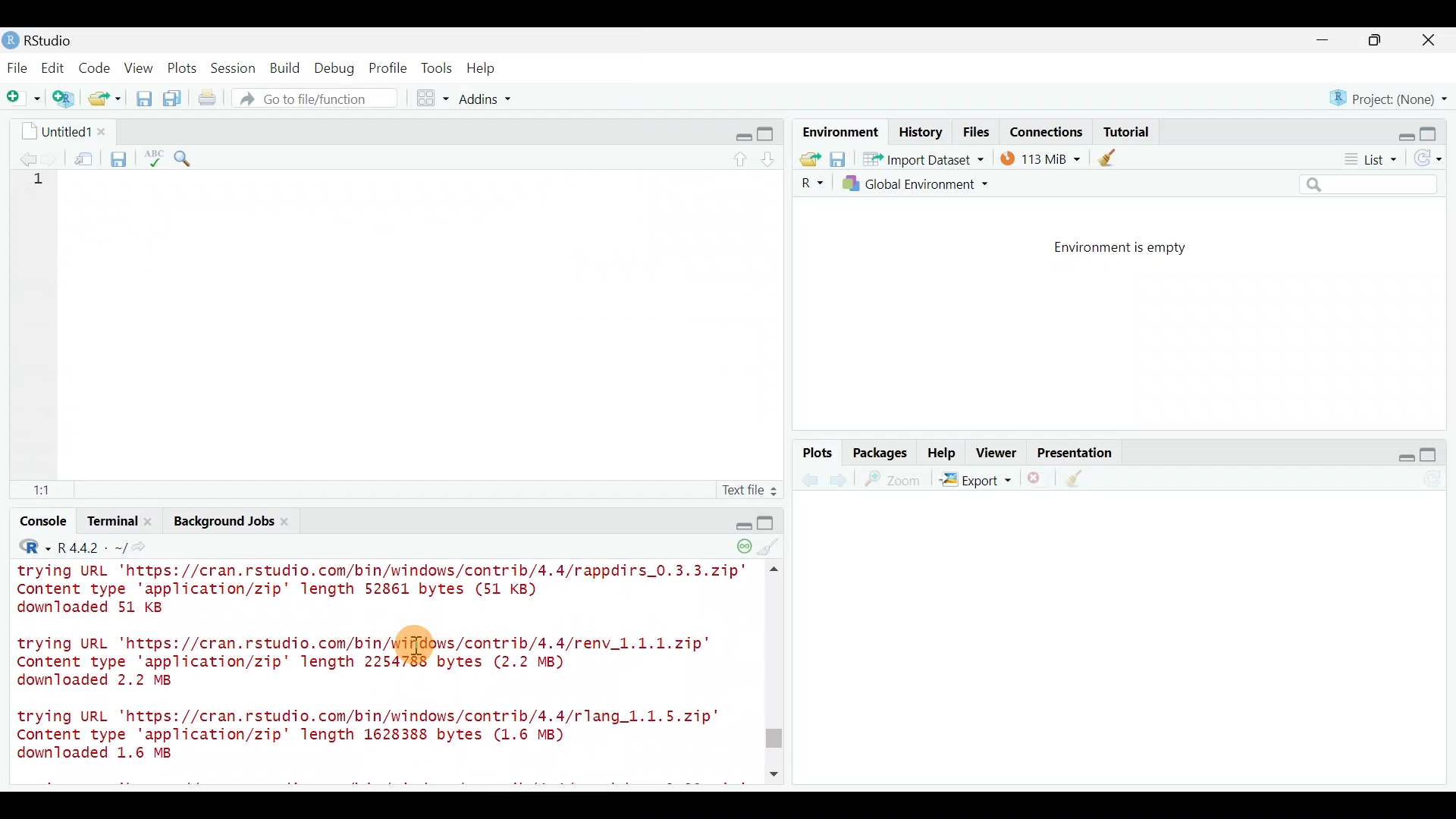 The width and height of the screenshot is (1456, 819). What do you see at coordinates (975, 482) in the screenshot?
I see `Export` at bounding box center [975, 482].